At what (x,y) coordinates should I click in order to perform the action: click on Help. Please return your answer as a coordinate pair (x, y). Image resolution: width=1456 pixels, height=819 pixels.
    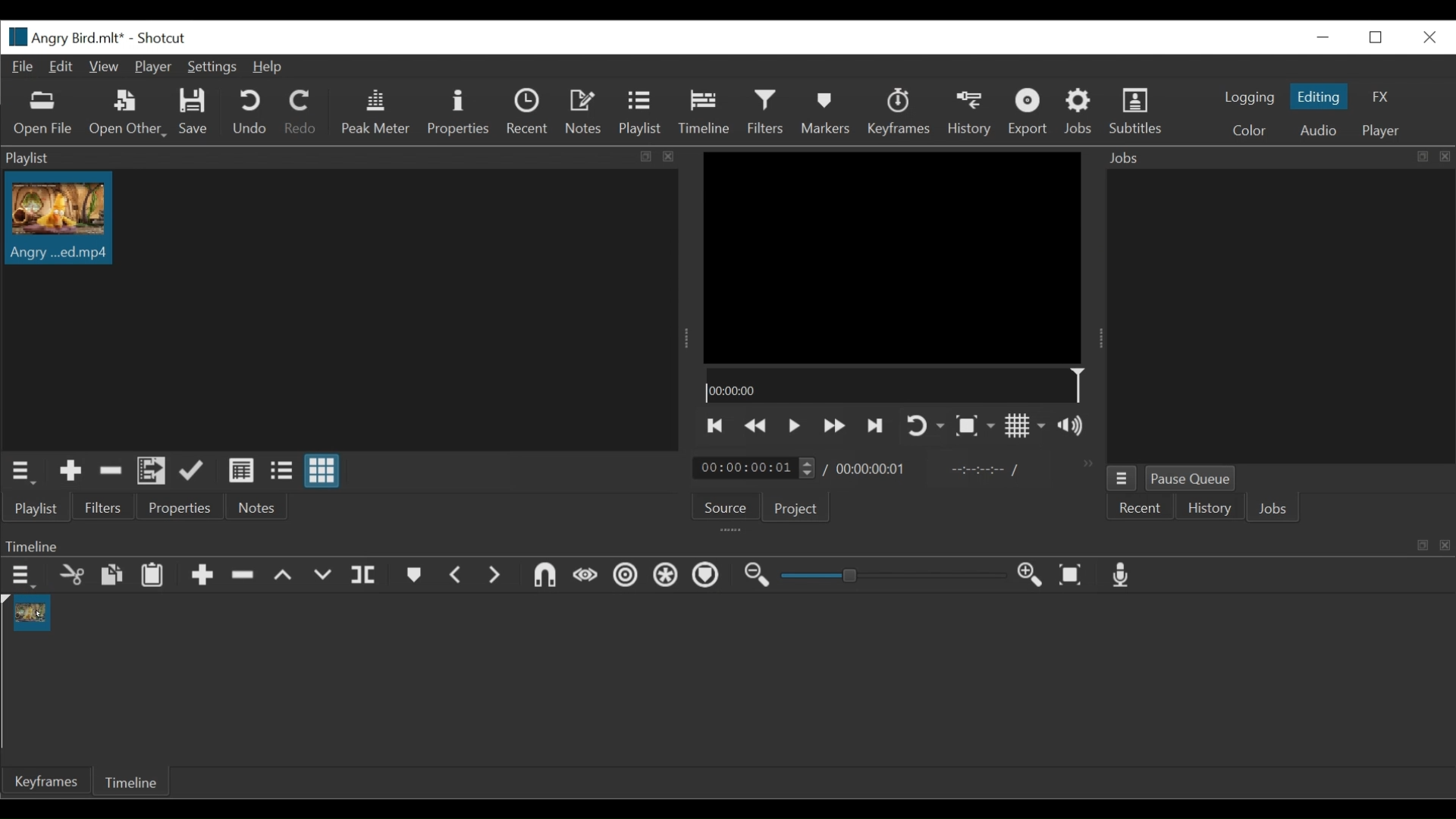
    Looking at the image, I should click on (269, 67).